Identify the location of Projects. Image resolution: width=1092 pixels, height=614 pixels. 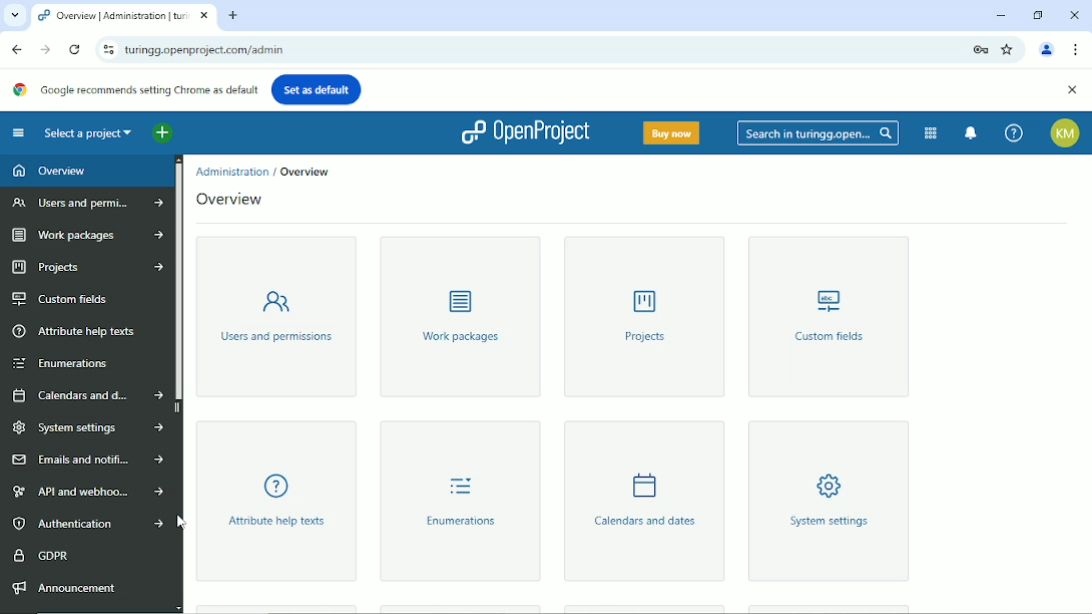
(84, 268).